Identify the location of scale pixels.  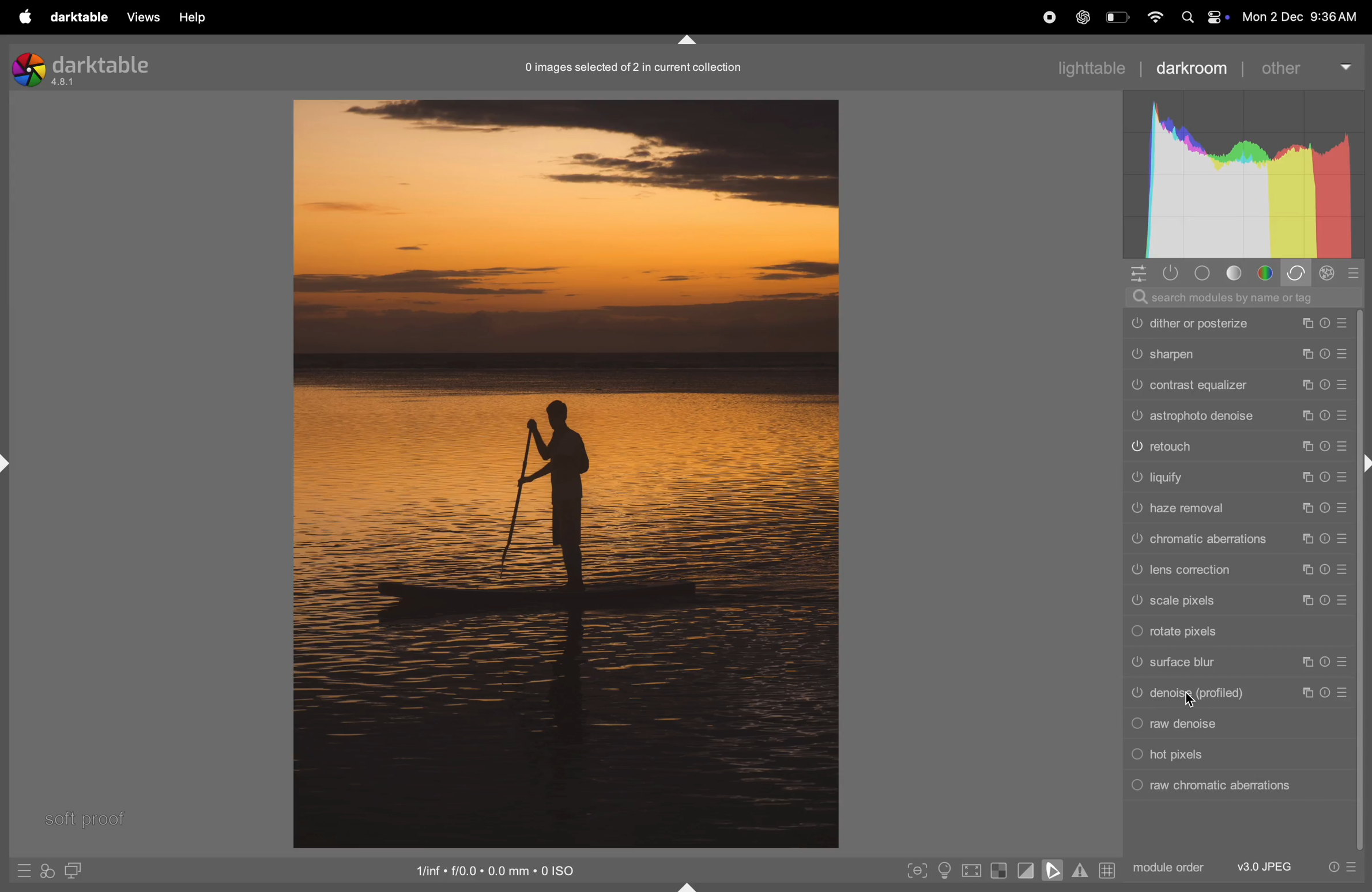
(1241, 601).